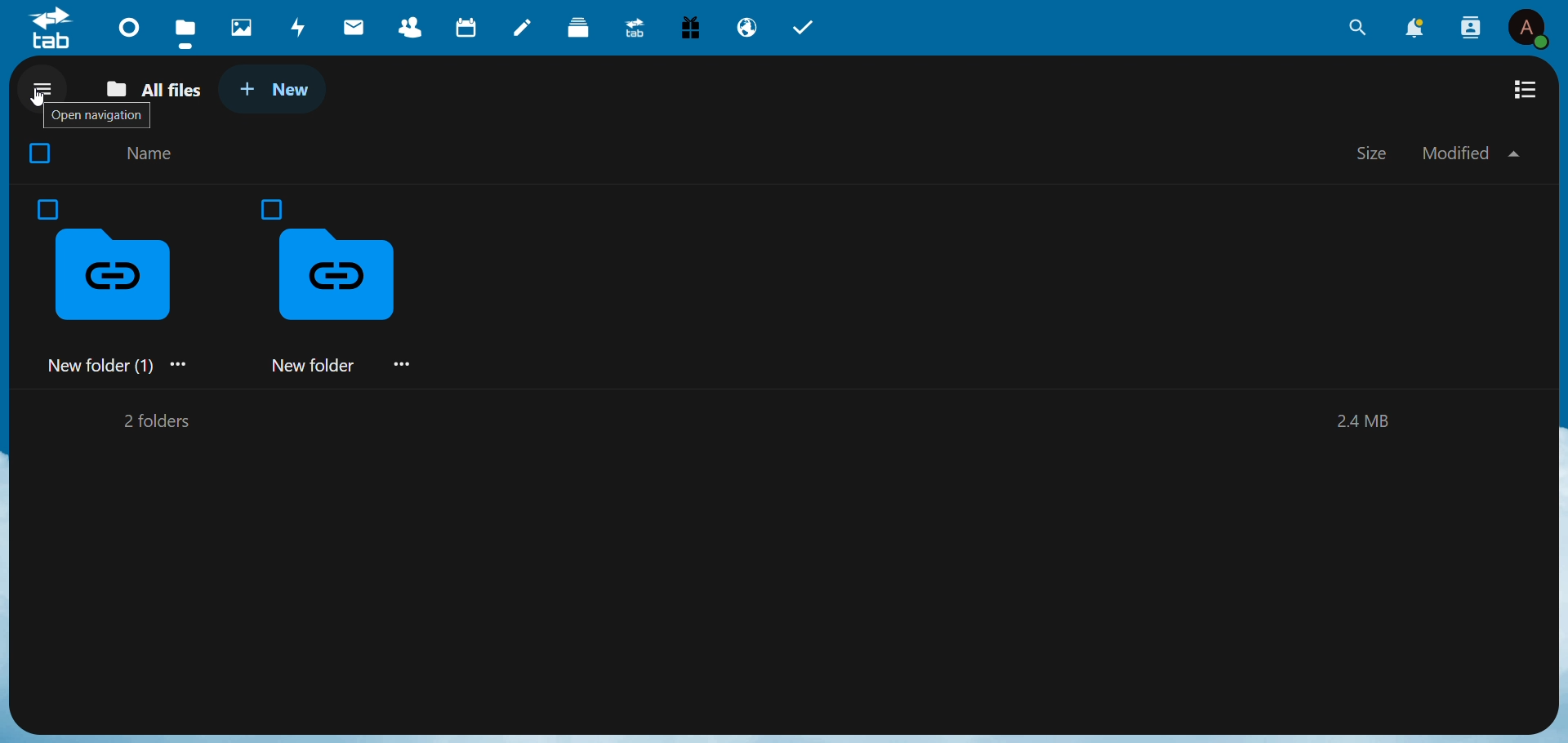 Image resolution: width=1568 pixels, height=743 pixels. What do you see at coordinates (131, 25) in the screenshot?
I see `dashboard` at bounding box center [131, 25].